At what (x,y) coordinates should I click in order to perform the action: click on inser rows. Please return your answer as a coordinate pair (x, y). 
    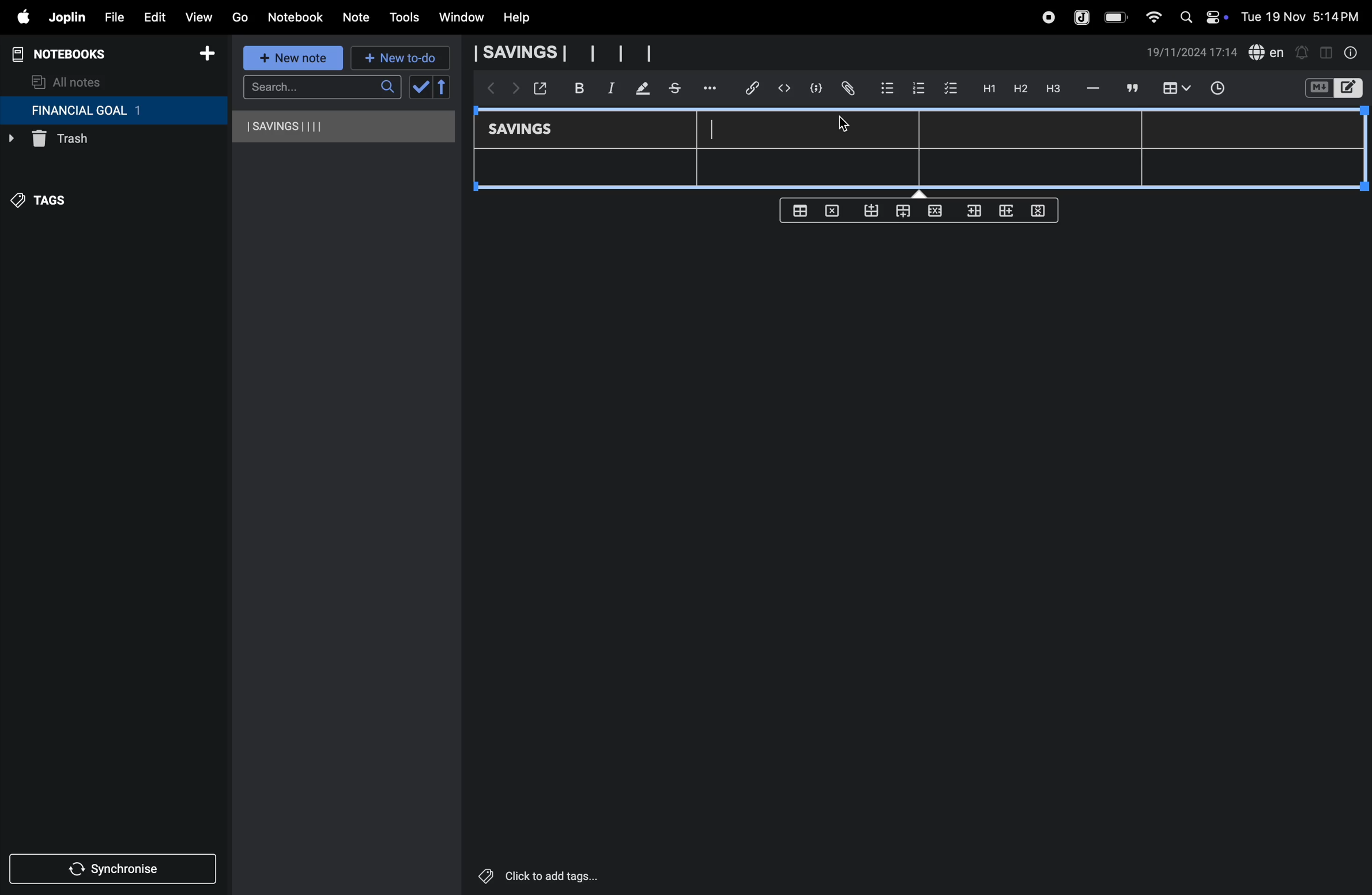
    Looking at the image, I should click on (972, 213).